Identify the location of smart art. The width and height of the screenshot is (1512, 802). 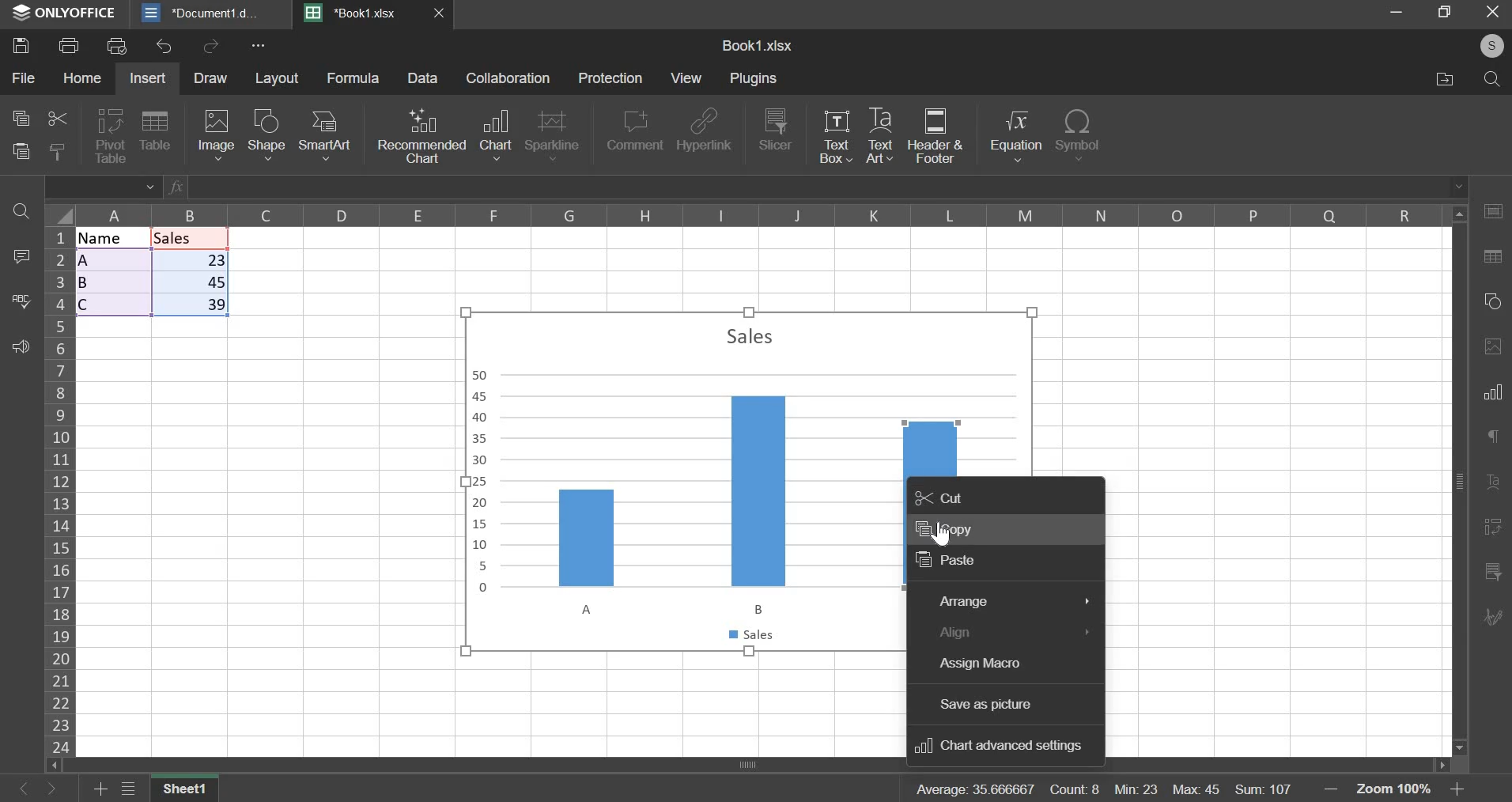
(325, 135).